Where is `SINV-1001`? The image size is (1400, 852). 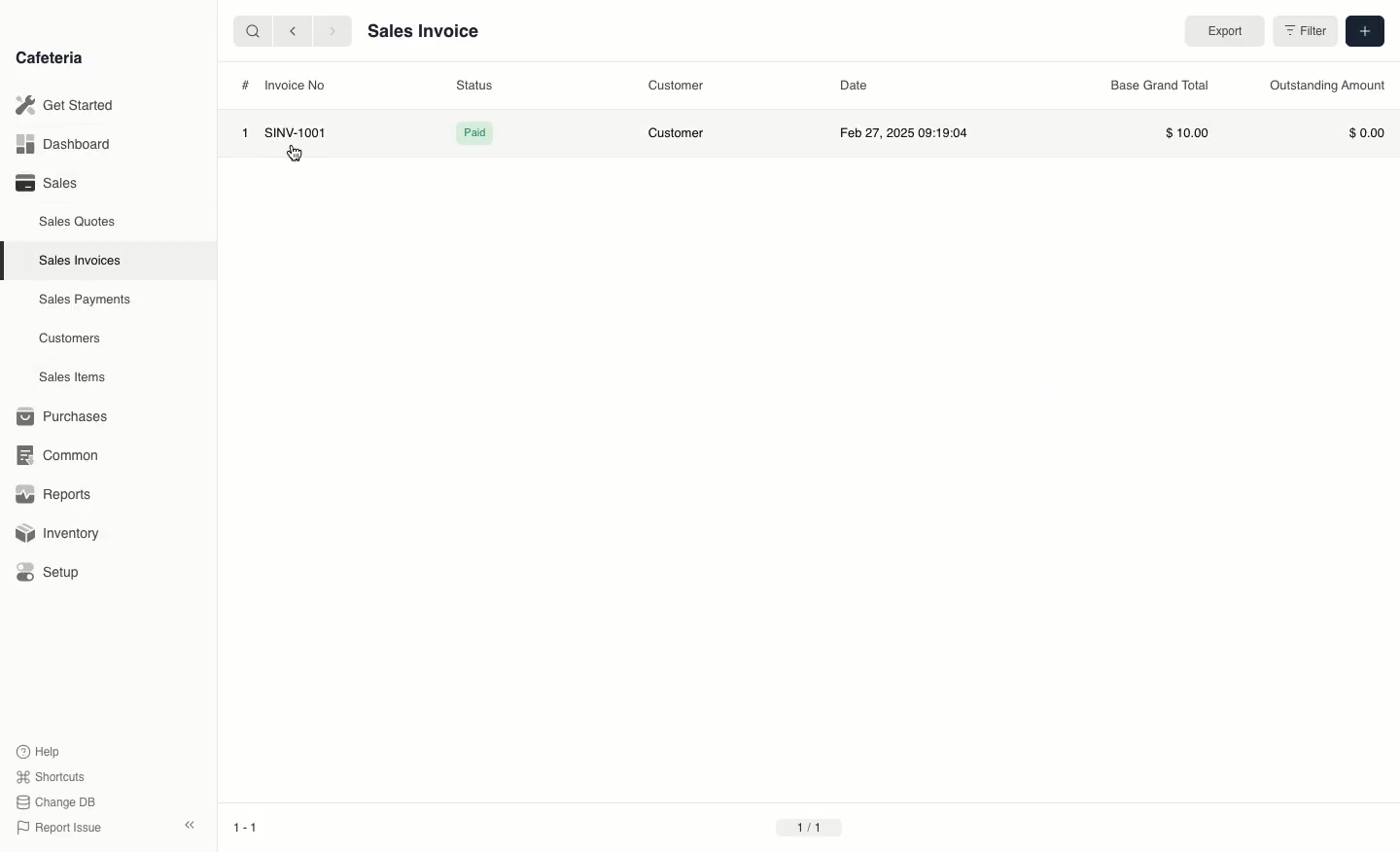 SINV-1001 is located at coordinates (296, 131).